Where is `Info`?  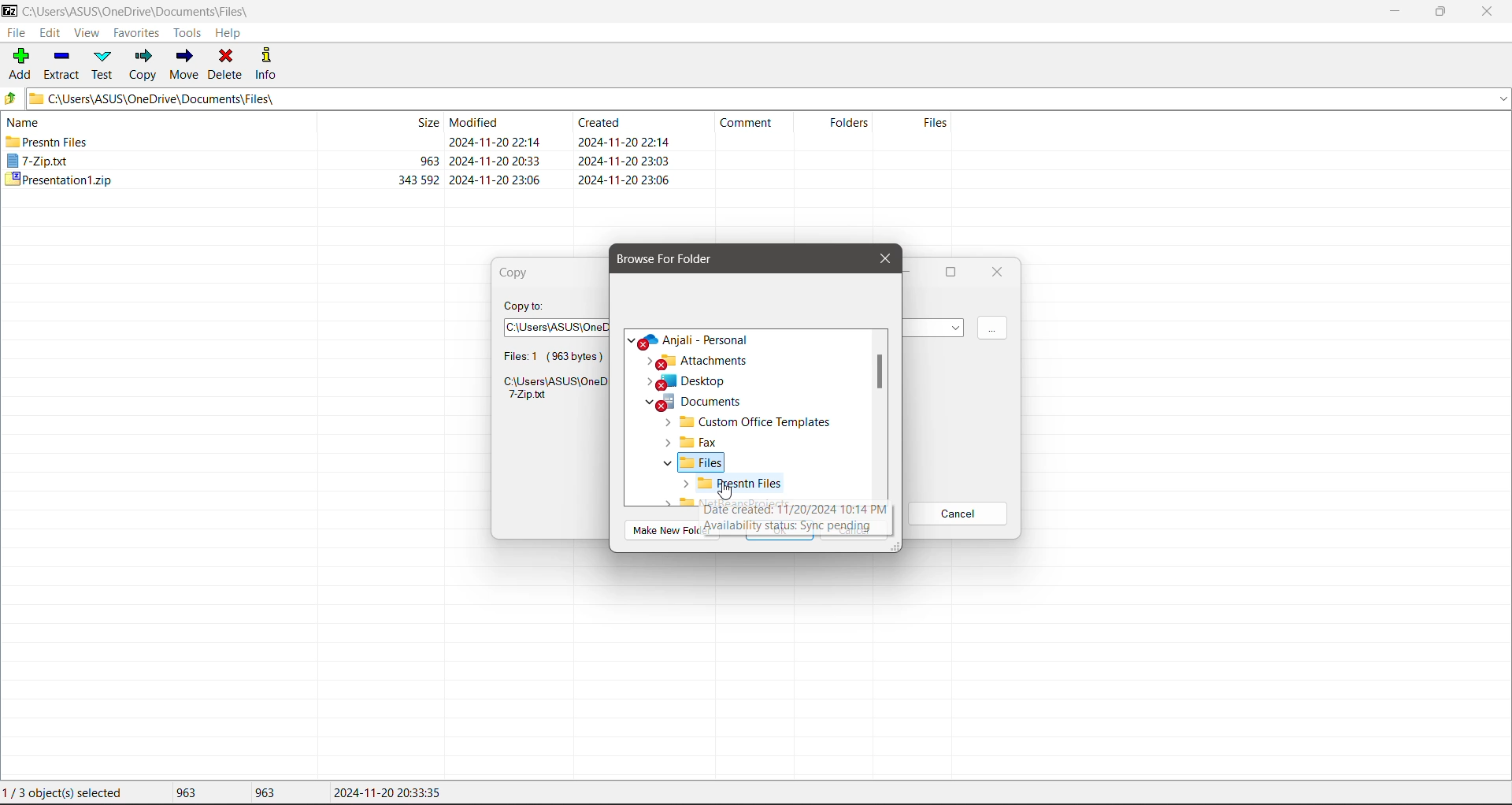 Info is located at coordinates (267, 62).